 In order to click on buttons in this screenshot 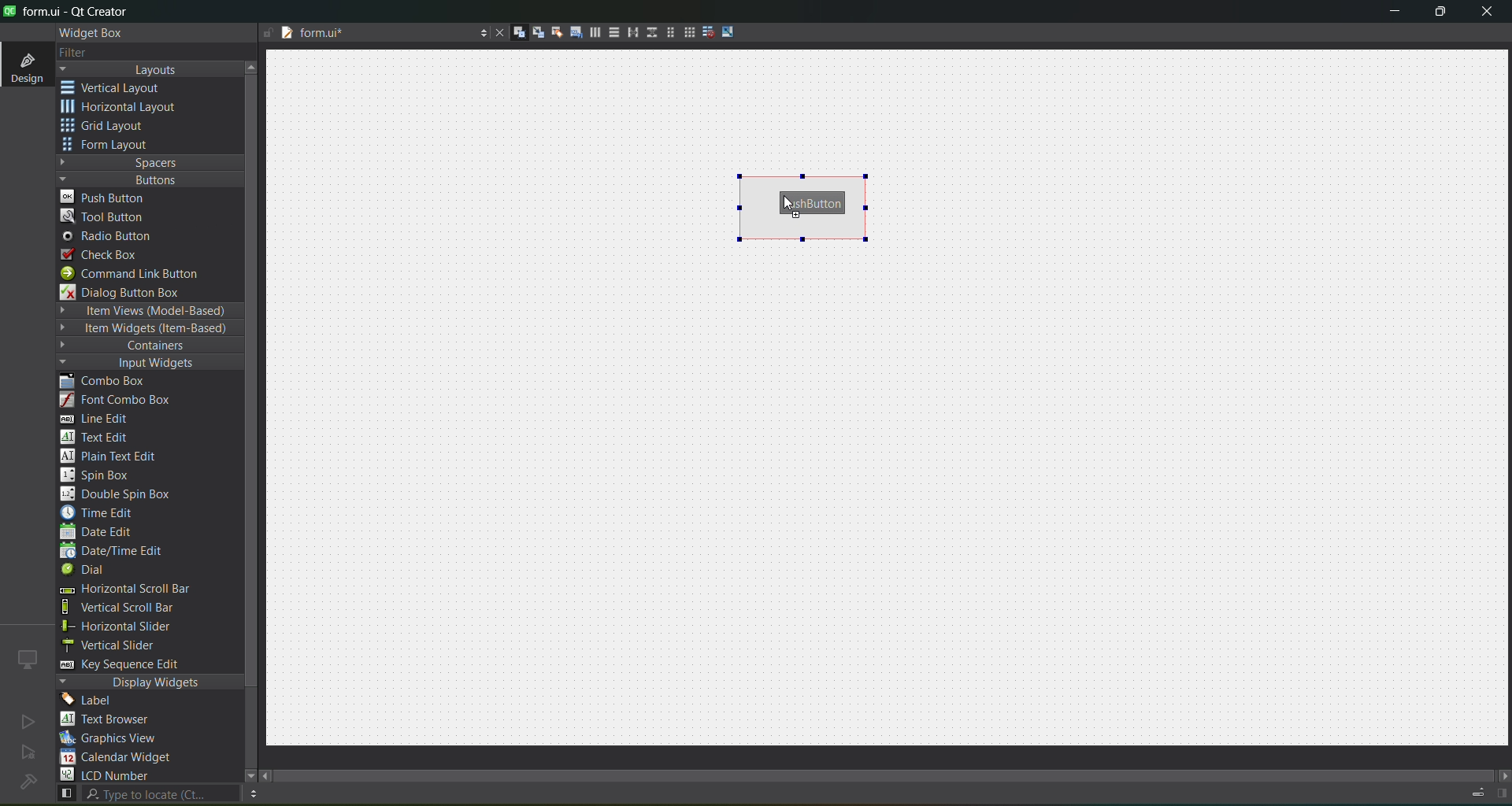, I will do `click(146, 179)`.